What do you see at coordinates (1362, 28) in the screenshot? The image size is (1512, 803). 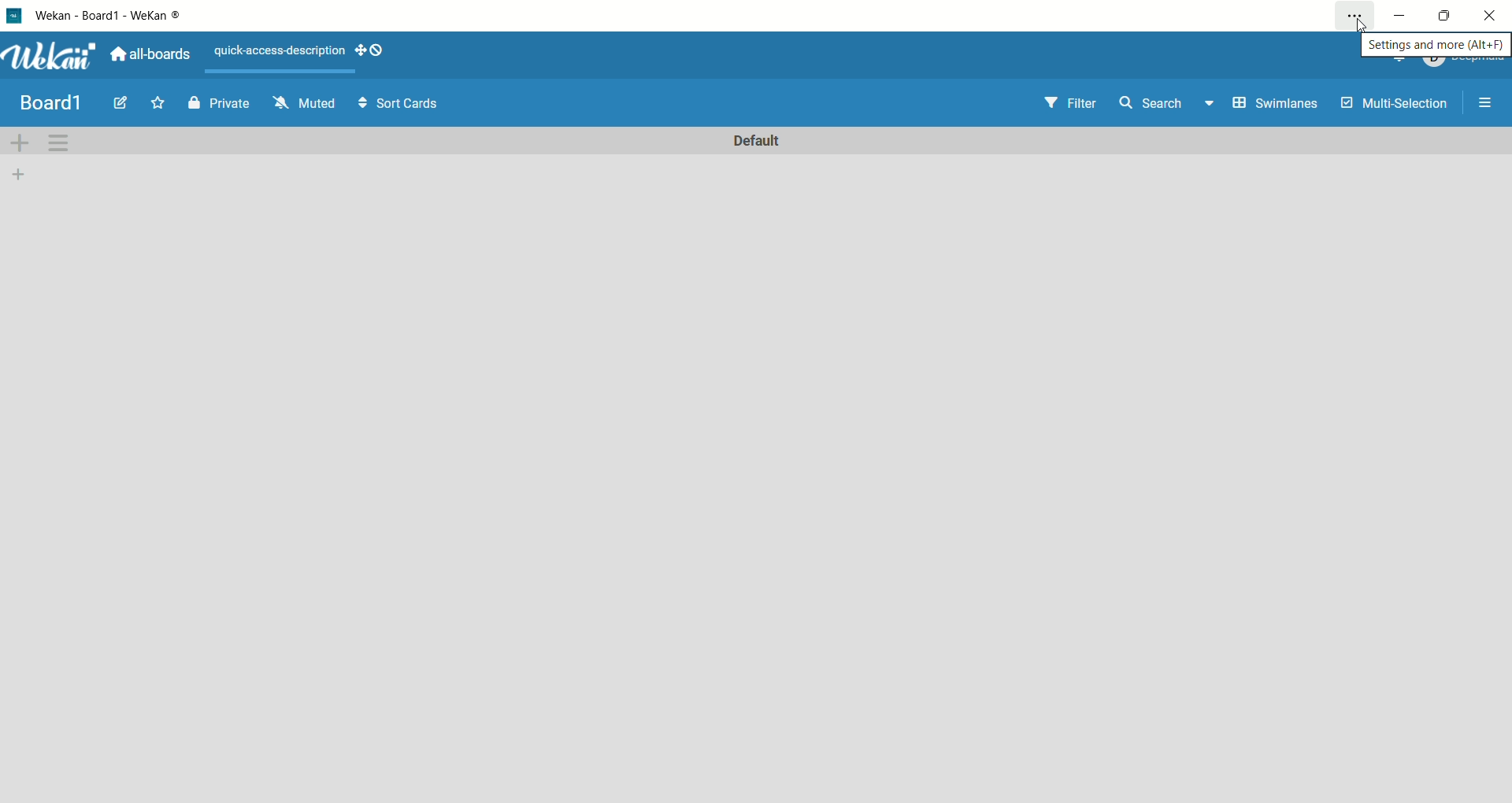 I see `cursor` at bounding box center [1362, 28].